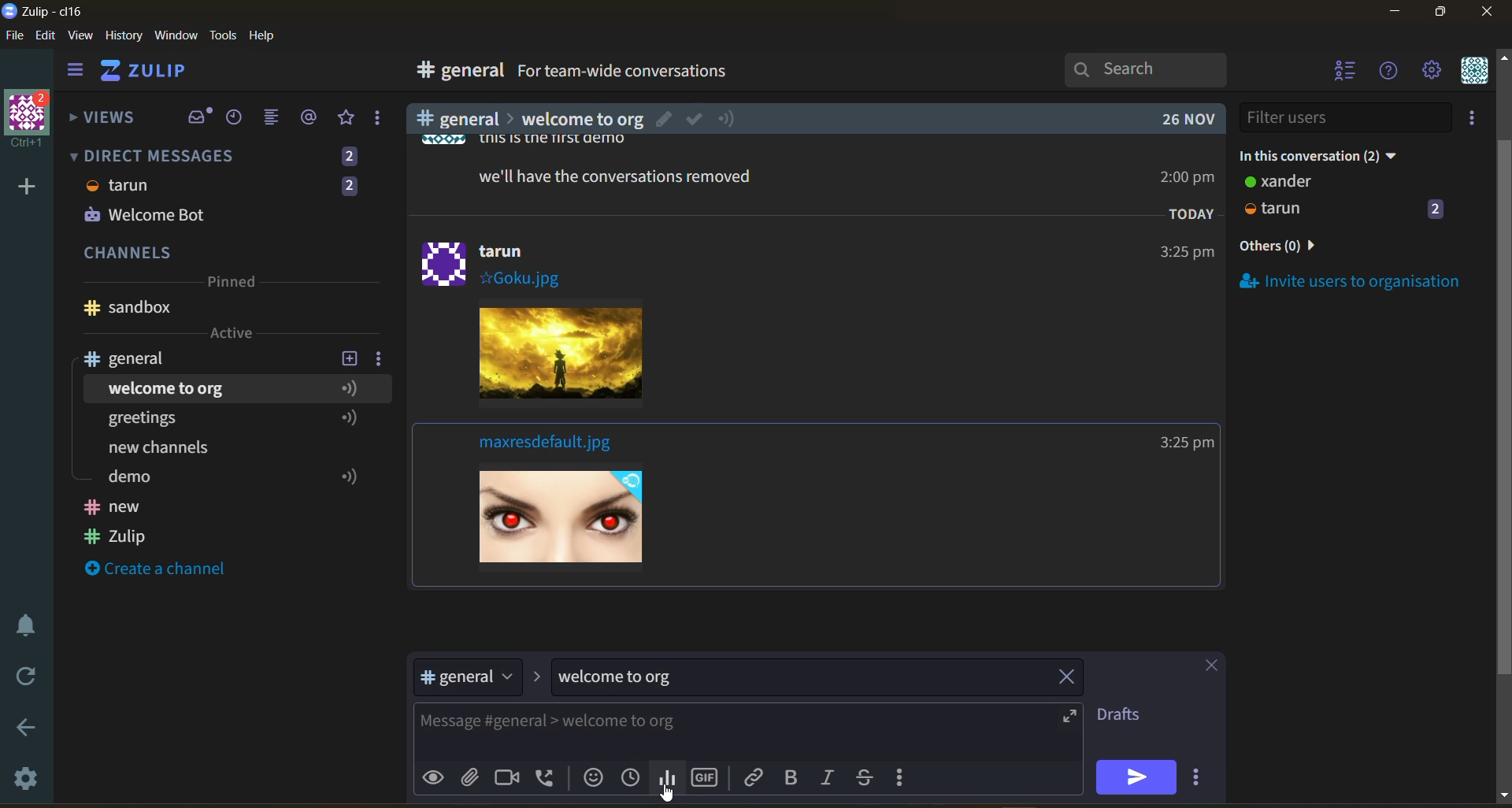 This screenshot has width=1512, height=808. I want to click on , so click(1183, 252).